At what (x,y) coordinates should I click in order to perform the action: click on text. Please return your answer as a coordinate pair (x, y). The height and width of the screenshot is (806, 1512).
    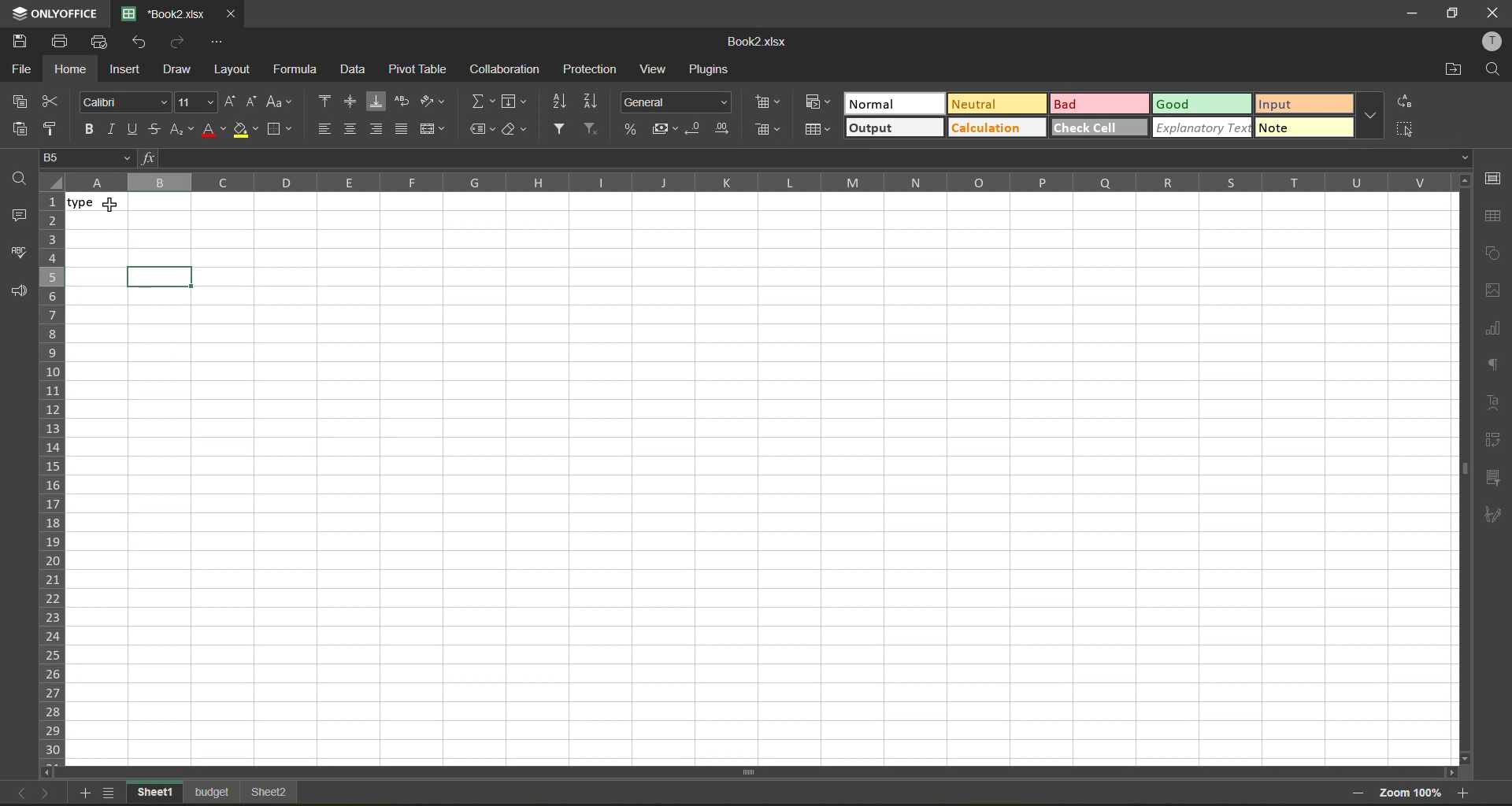
    Looking at the image, I should click on (1495, 402).